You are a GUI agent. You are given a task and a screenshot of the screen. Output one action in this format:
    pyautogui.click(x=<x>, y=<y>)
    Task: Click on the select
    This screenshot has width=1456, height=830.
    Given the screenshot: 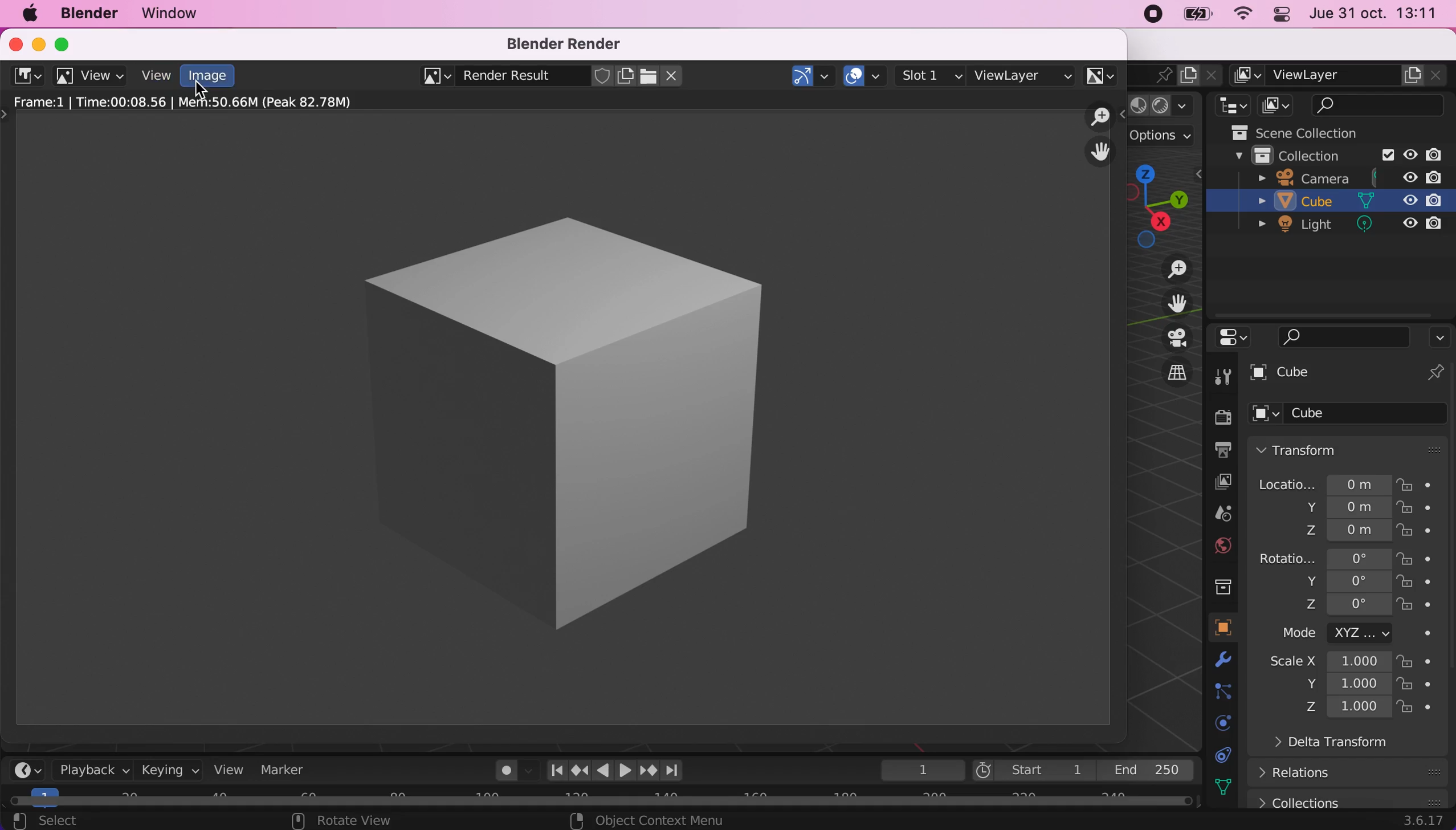 What is the action you would take?
    pyautogui.click(x=85, y=820)
    